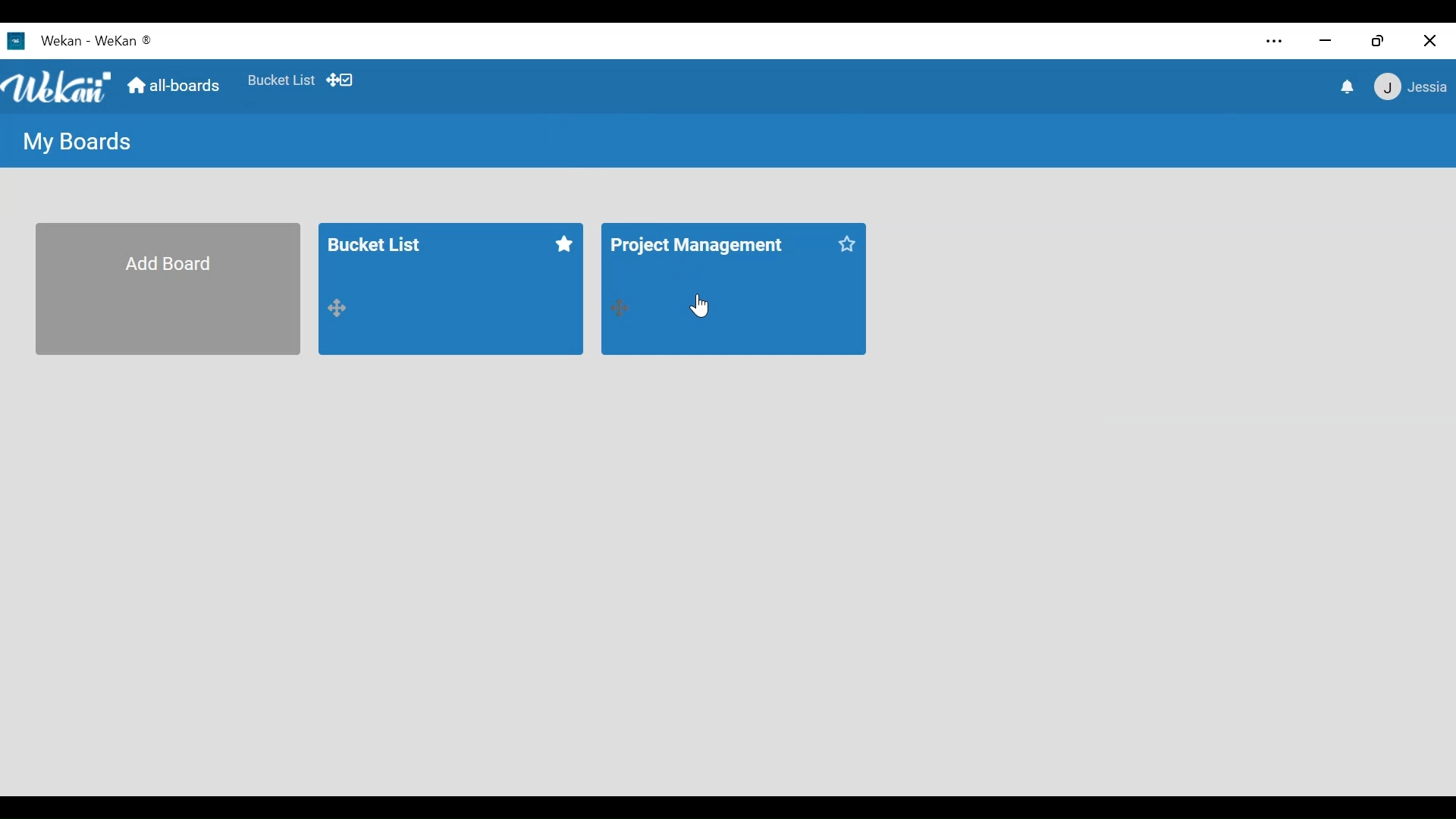 The image size is (1456, 819). I want to click on My Boards, so click(77, 143).